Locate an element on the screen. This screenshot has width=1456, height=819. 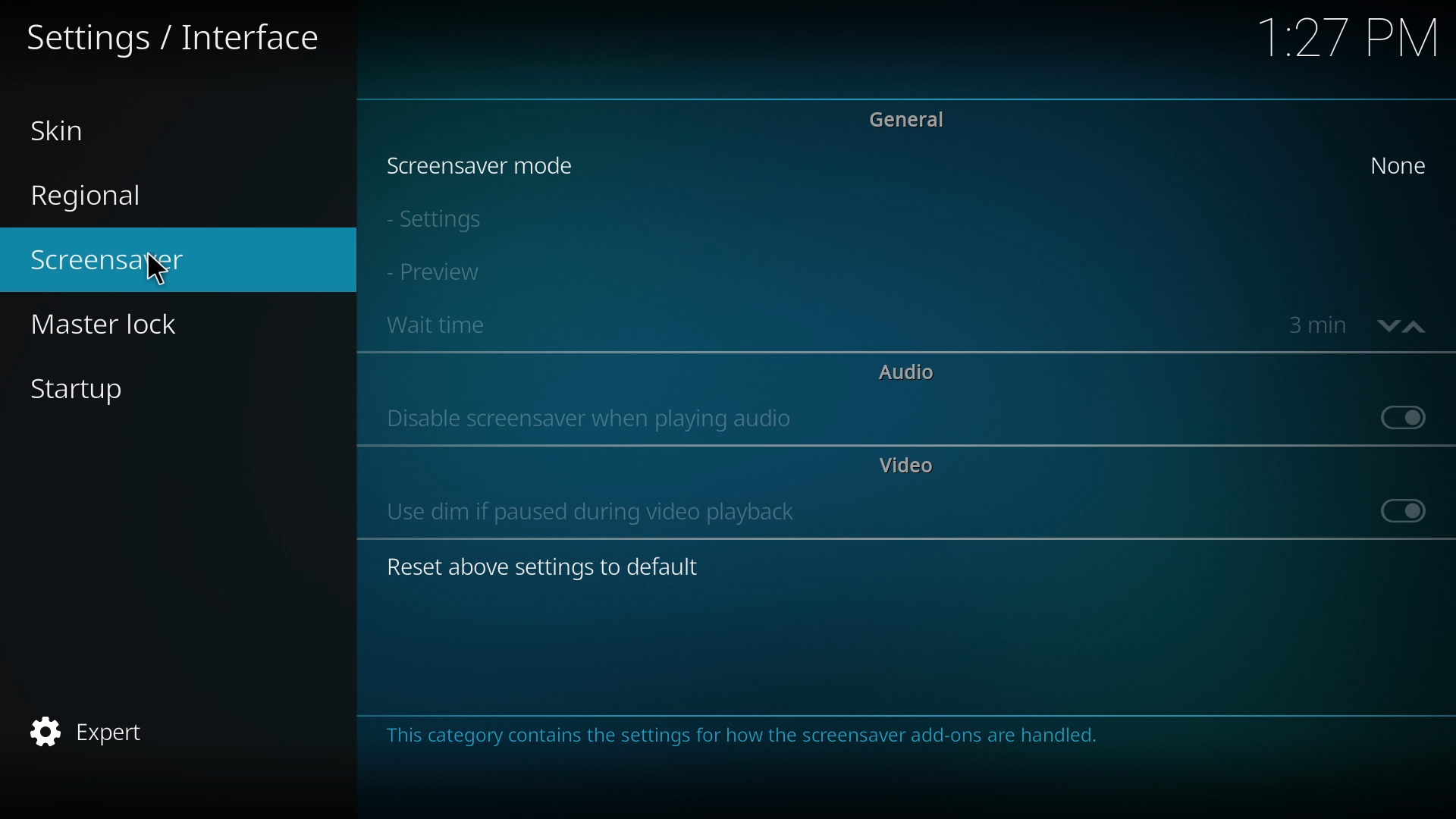
disable screensaver when playing audio is located at coordinates (592, 419).